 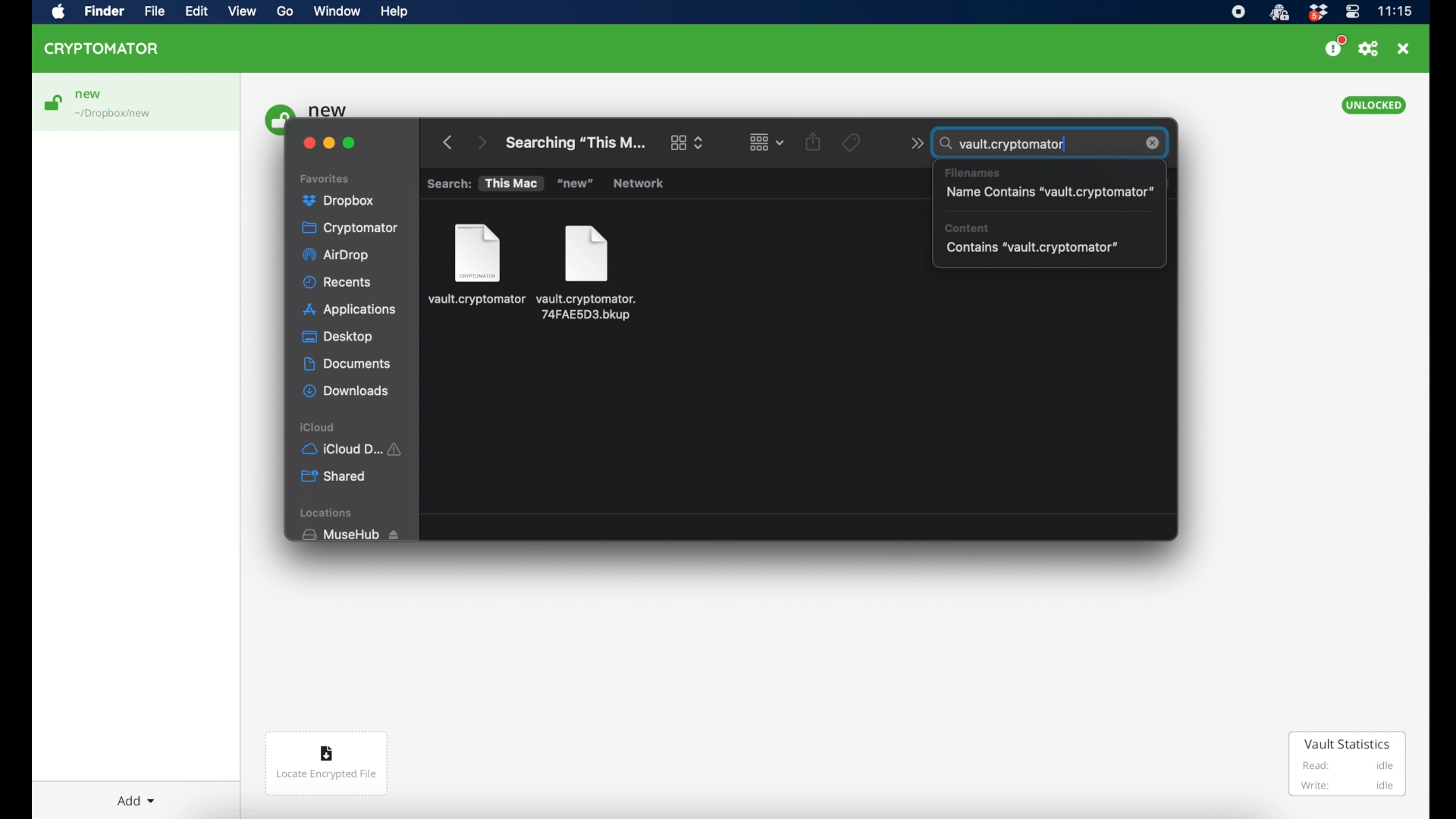 I want to click on content, so click(x=968, y=227).